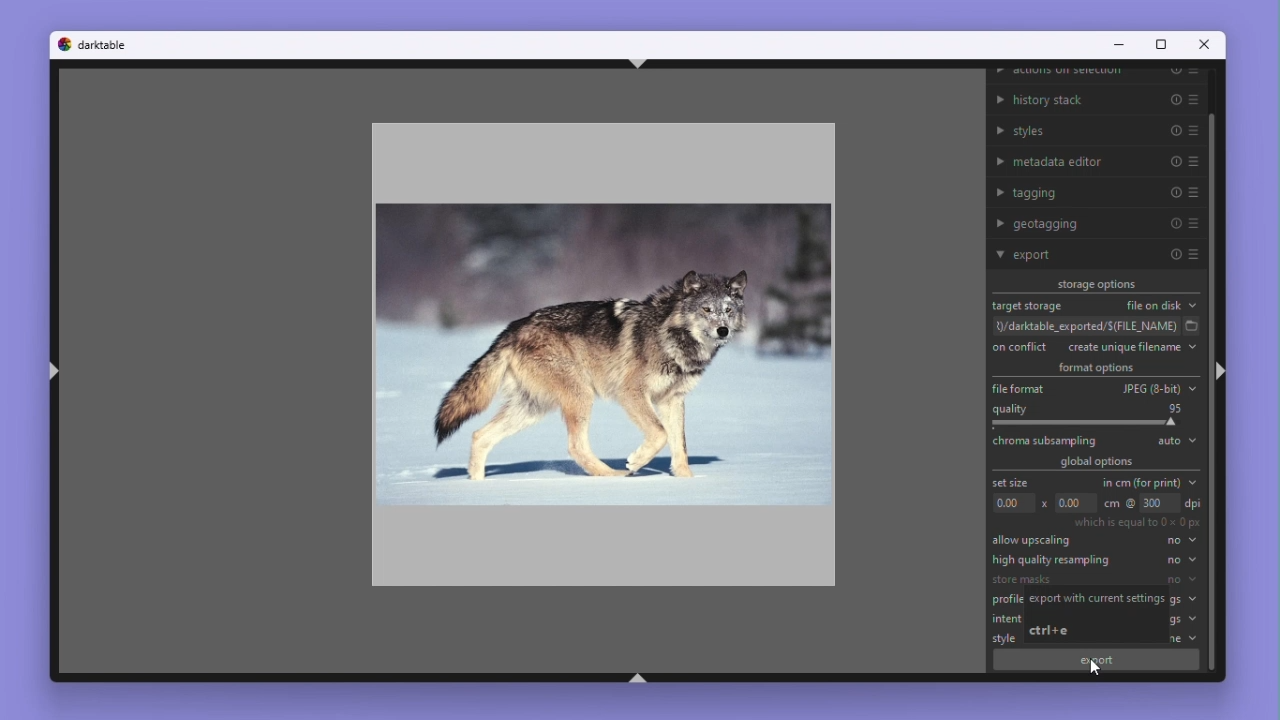 The width and height of the screenshot is (1280, 720). Describe the element at coordinates (1134, 348) in the screenshot. I see `Create unique file name` at that location.